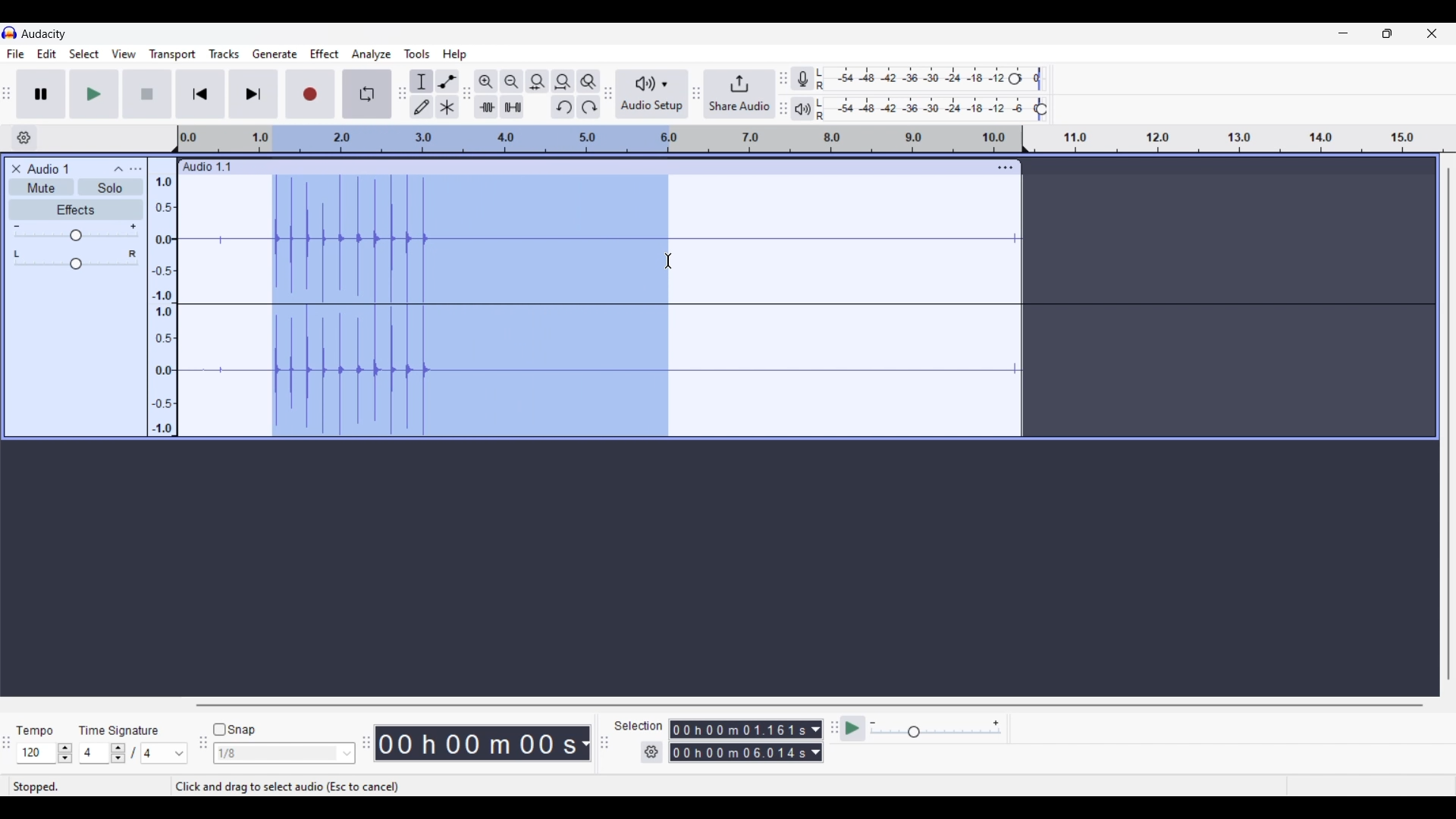 This screenshot has height=819, width=1456. I want to click on Pan, so click(76, 265).